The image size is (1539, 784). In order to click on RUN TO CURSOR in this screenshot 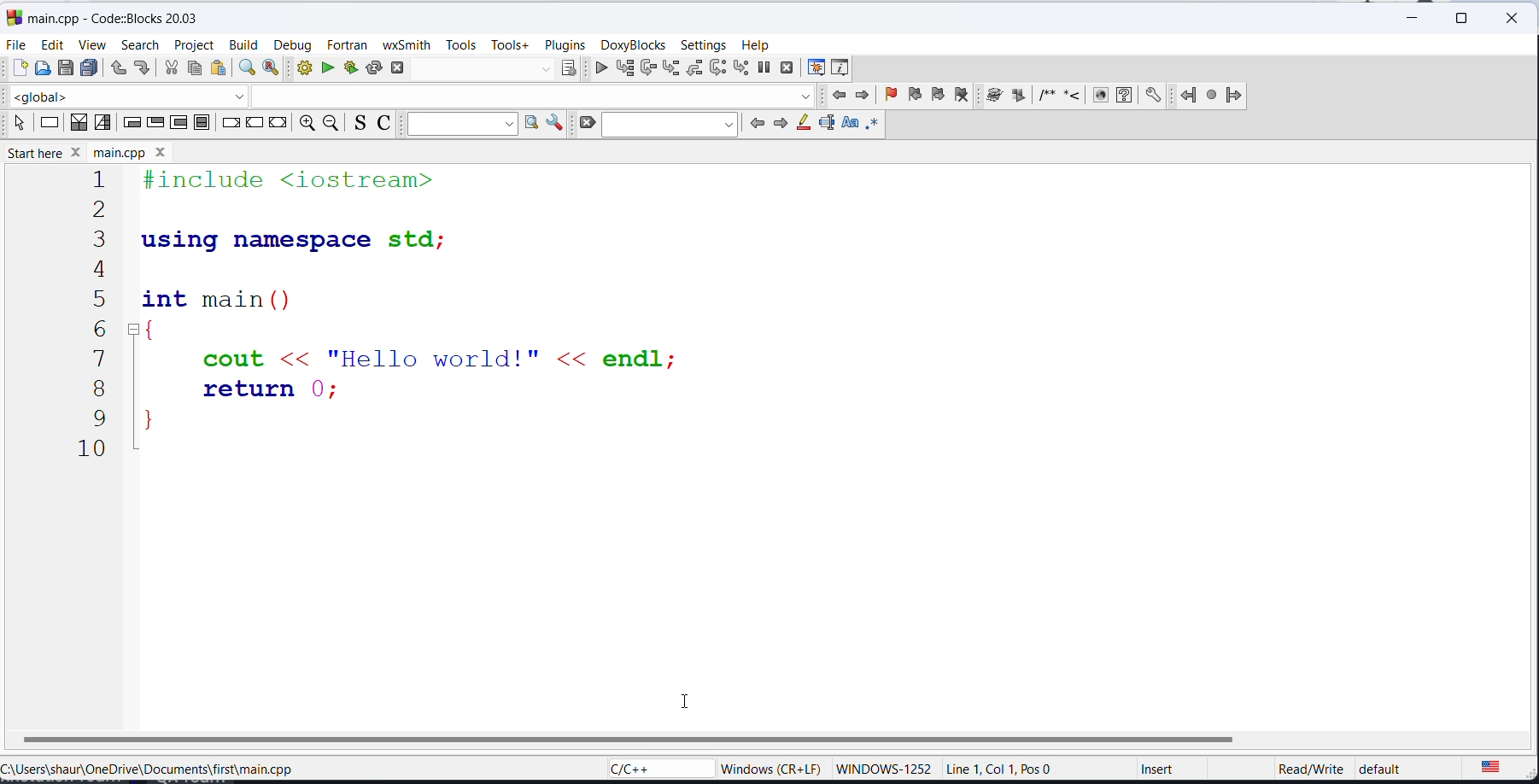, I will do `click(623, 69)`.